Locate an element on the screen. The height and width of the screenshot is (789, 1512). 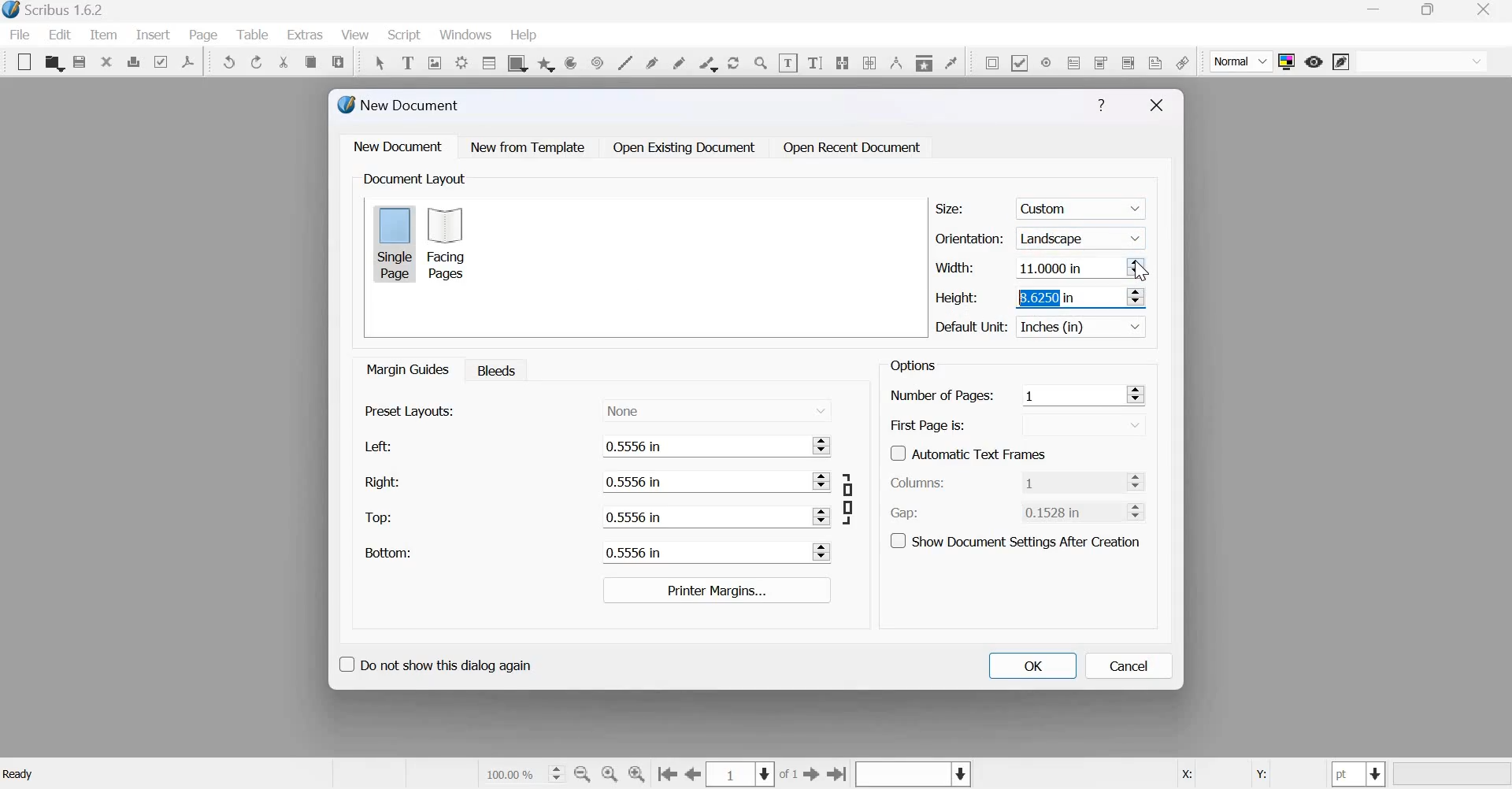
custom is located at coordinates (1084, 206).